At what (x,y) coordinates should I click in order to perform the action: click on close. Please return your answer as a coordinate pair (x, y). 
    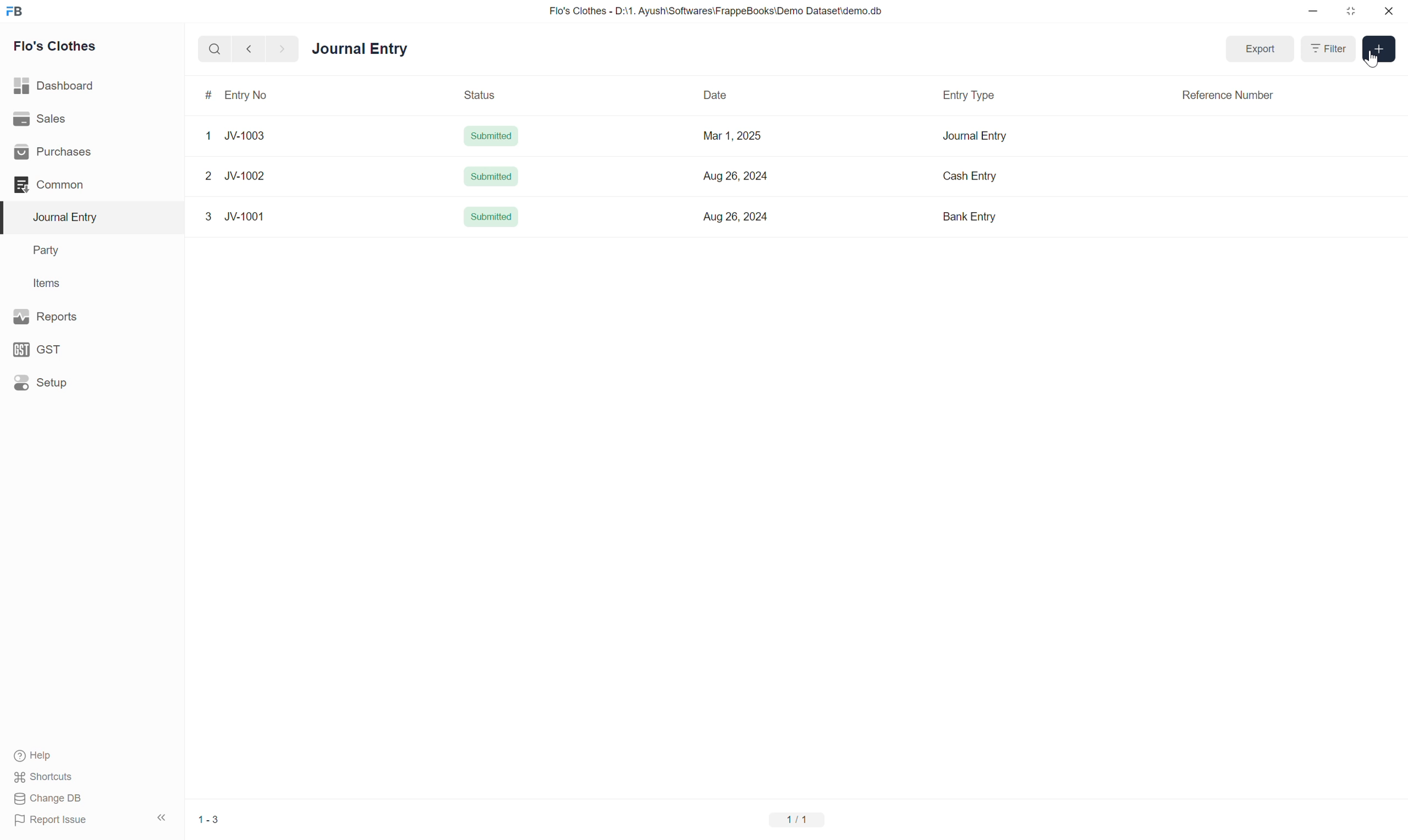
    Looking at the image, I should click on (1389, 11).